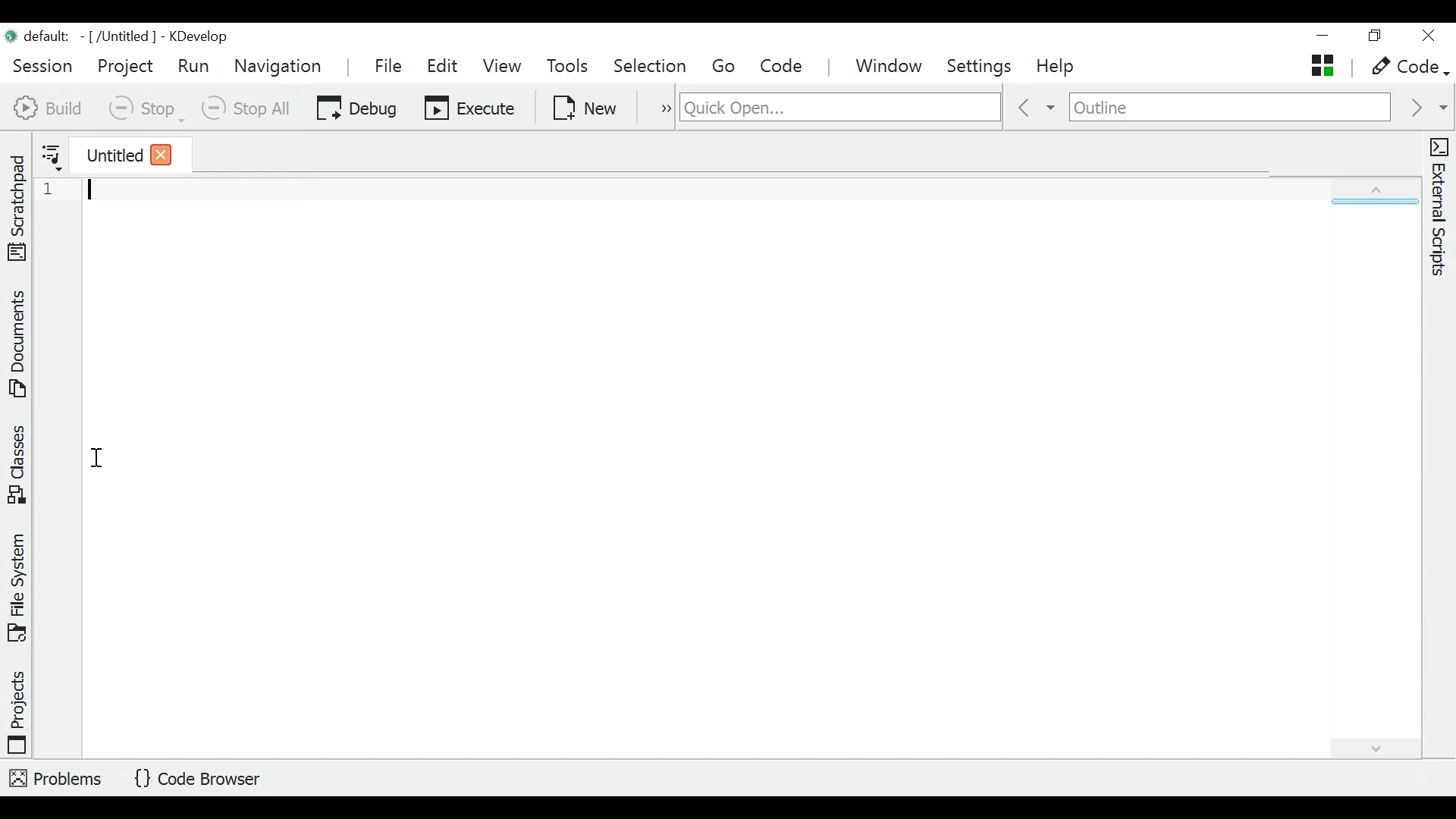  Describe the element at coordinates (49, 106) in the screenshot. I see `Build` at that location.